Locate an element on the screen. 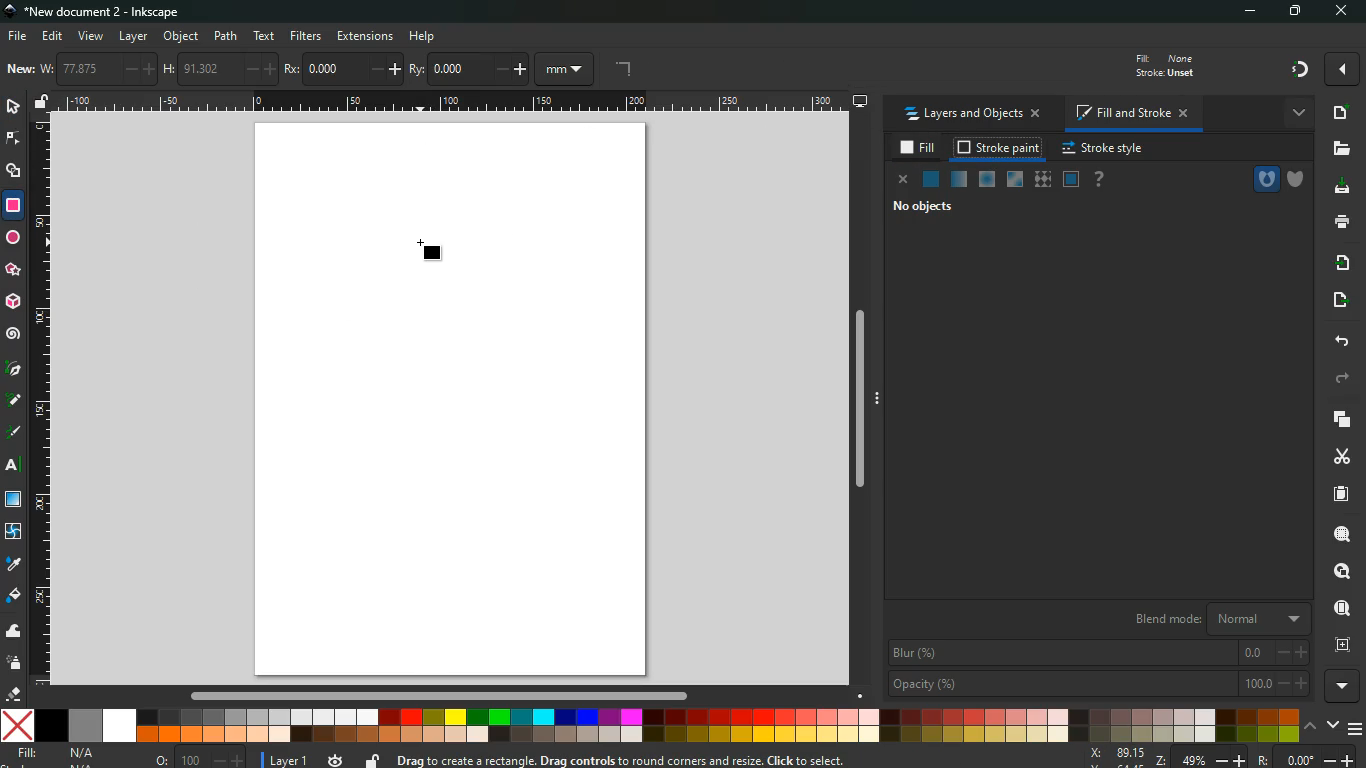 The width and height of the screenshot is (1366, 768). window is located at coordinates (14, 501).